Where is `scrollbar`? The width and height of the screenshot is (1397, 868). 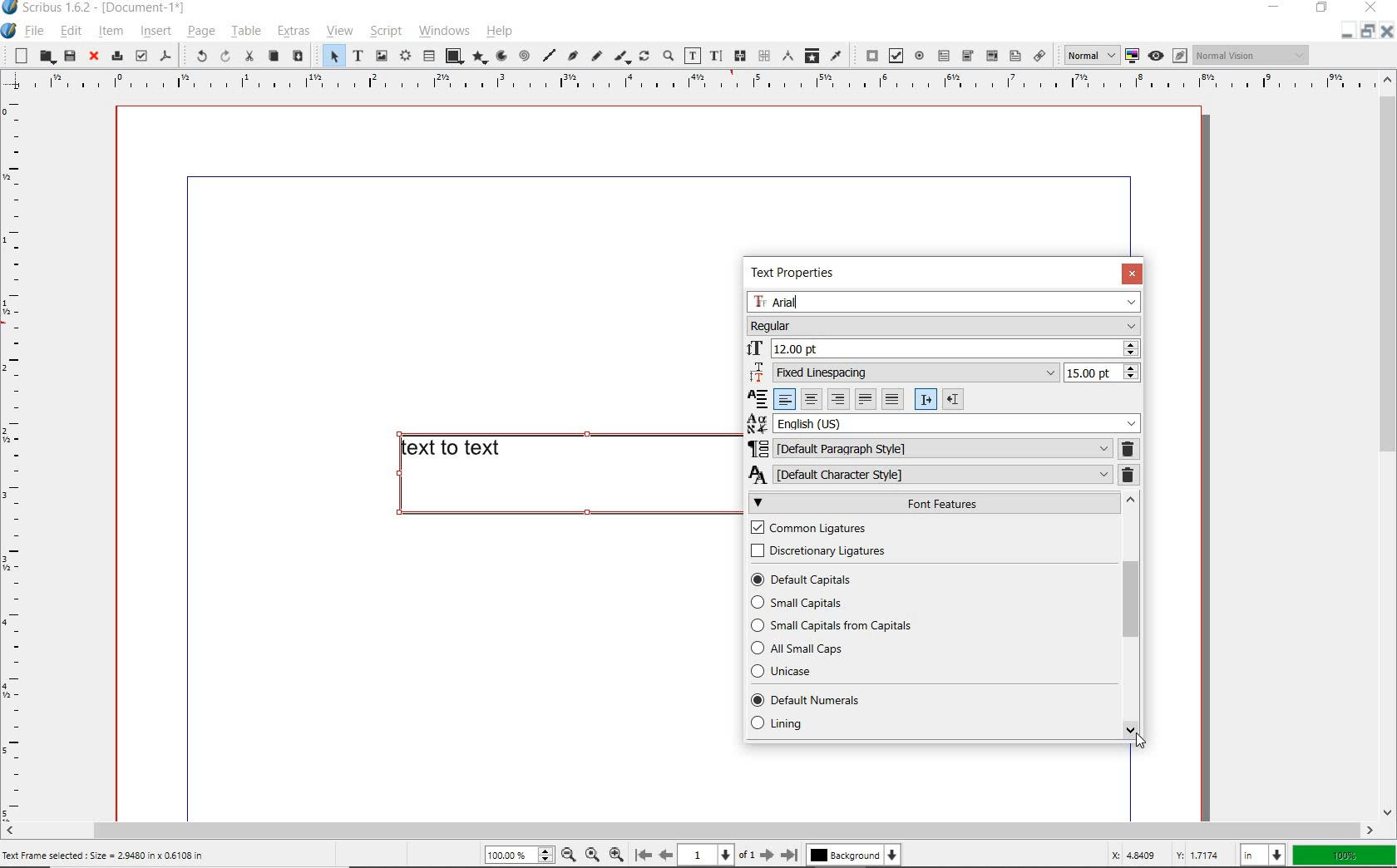
scrollbar is located at coordinates (689, 830).